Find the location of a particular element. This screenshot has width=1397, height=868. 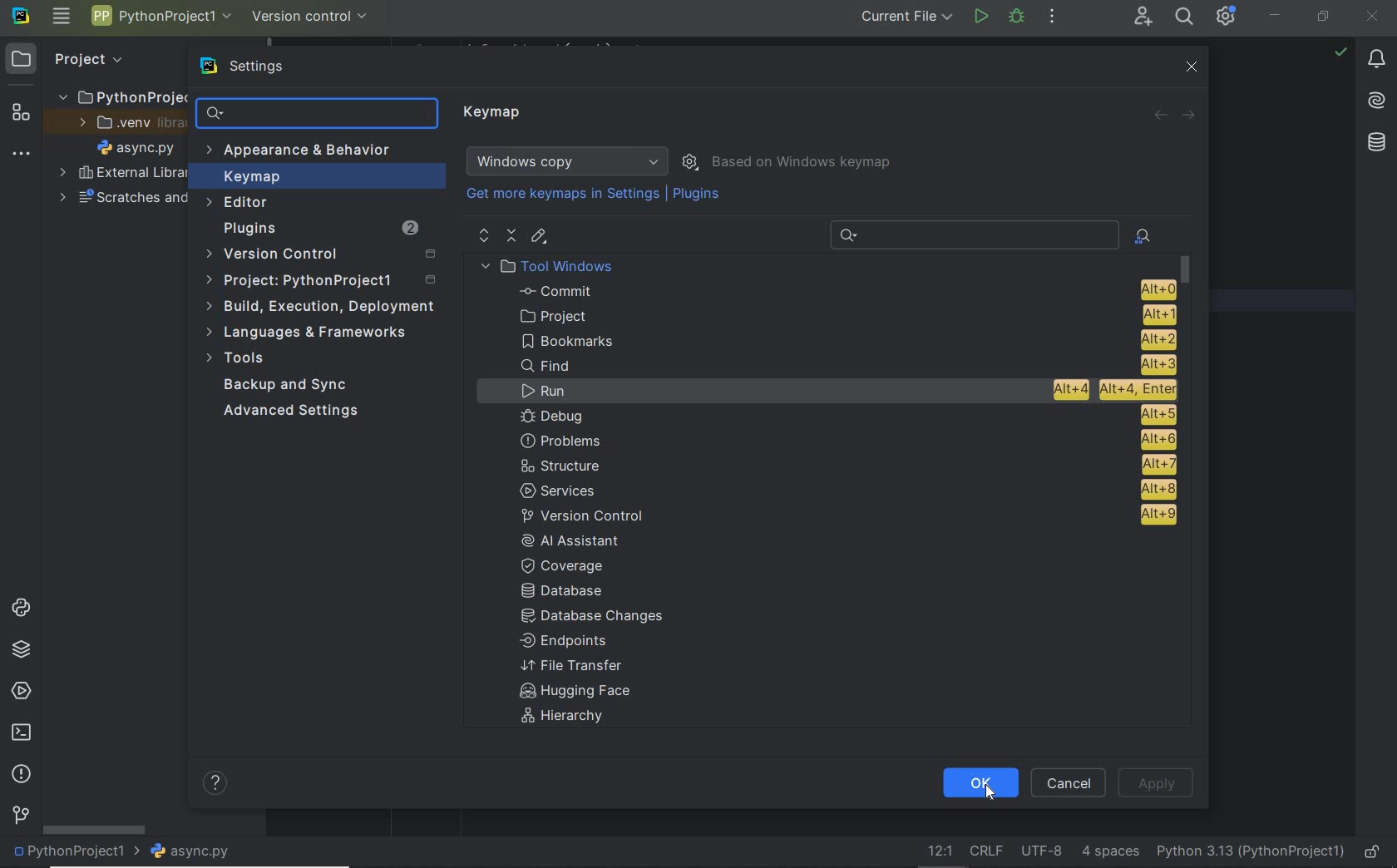

Recent Search is located at coordinates (971, 233).